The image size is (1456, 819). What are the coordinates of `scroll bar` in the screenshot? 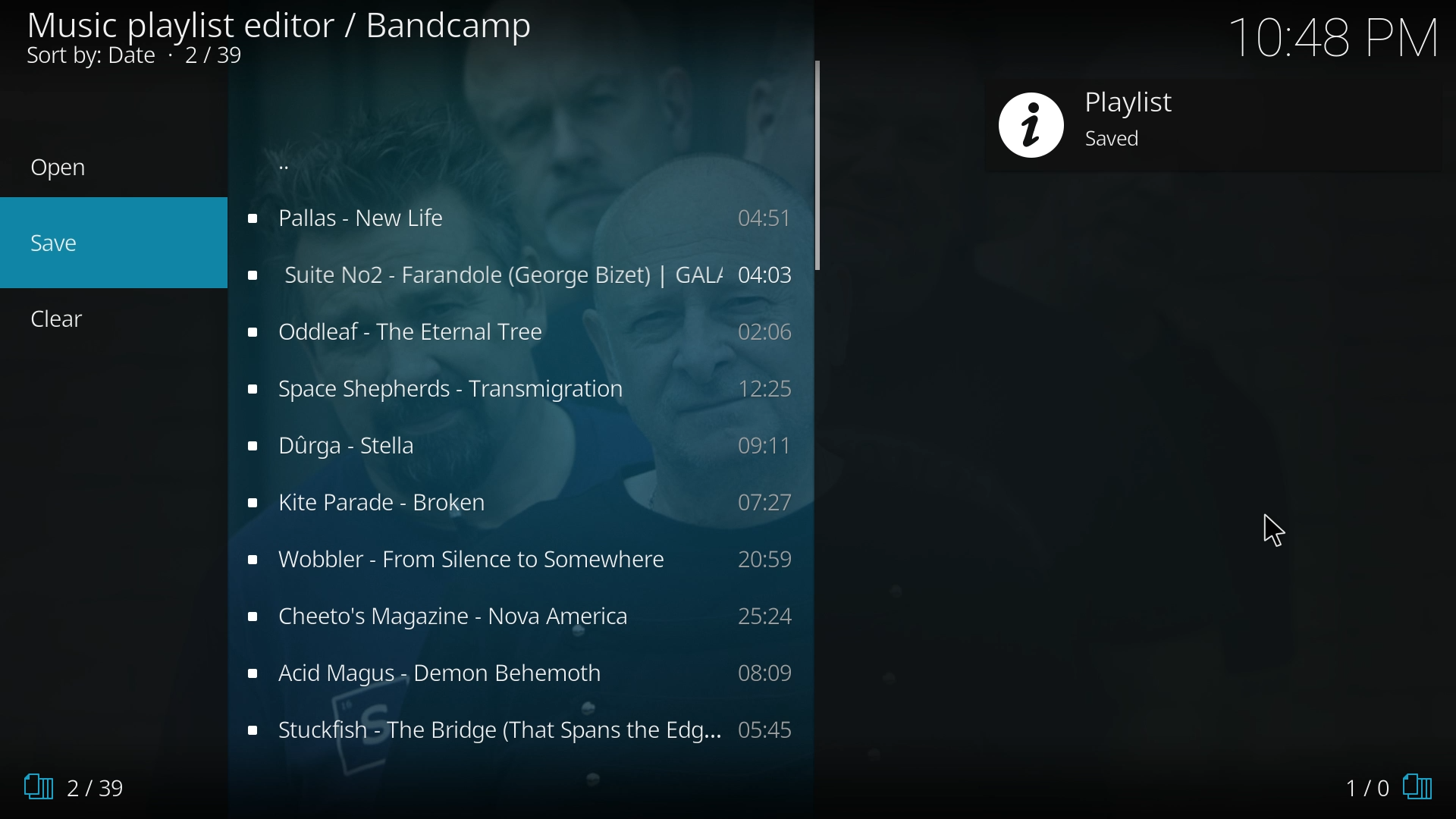 It's located at (817, 166).